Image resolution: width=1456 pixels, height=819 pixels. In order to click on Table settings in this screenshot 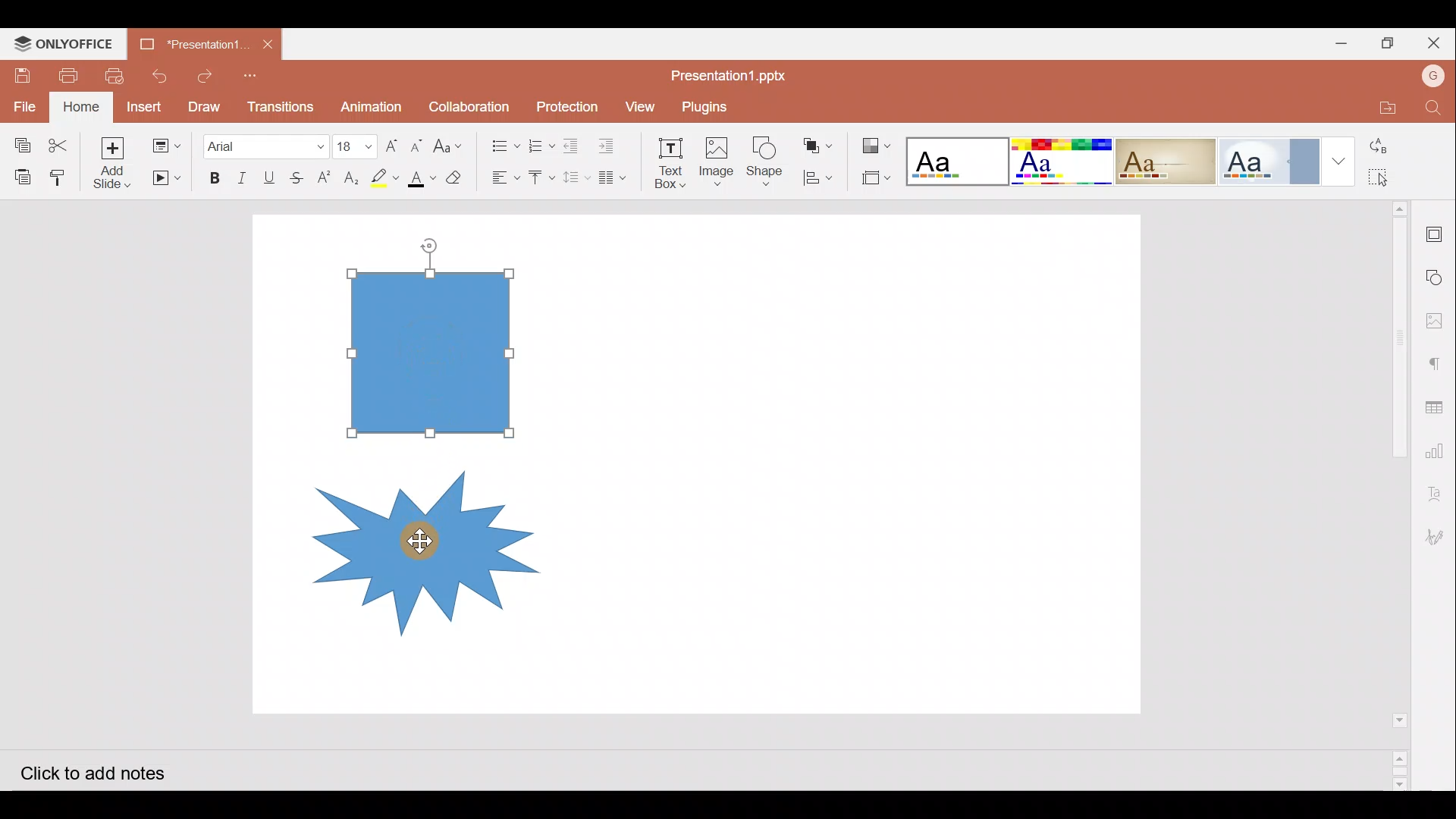, I will do `click(1439, 406)`.